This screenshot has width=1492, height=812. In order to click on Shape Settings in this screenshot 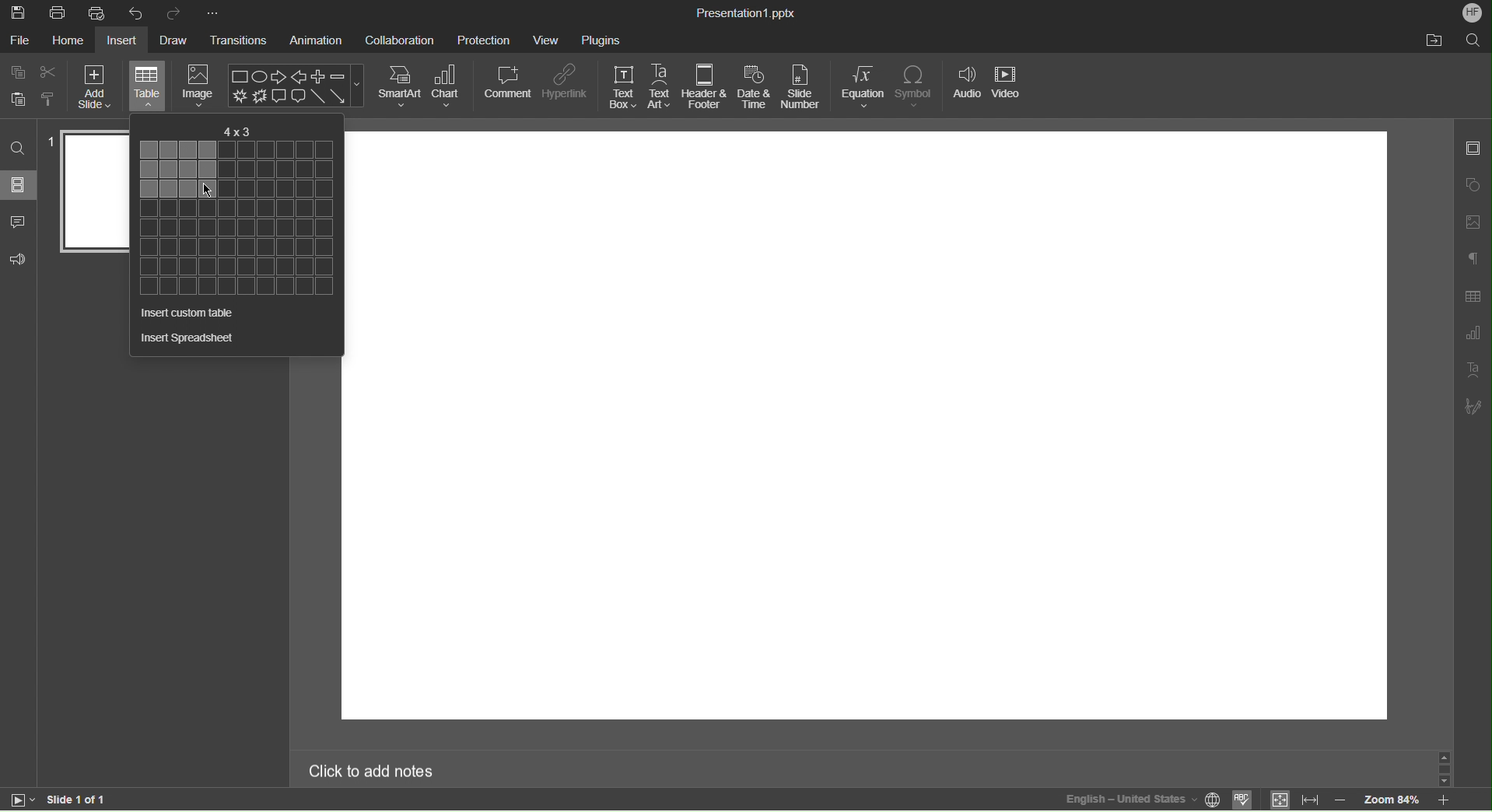, I will do `click(1473, 181)`.